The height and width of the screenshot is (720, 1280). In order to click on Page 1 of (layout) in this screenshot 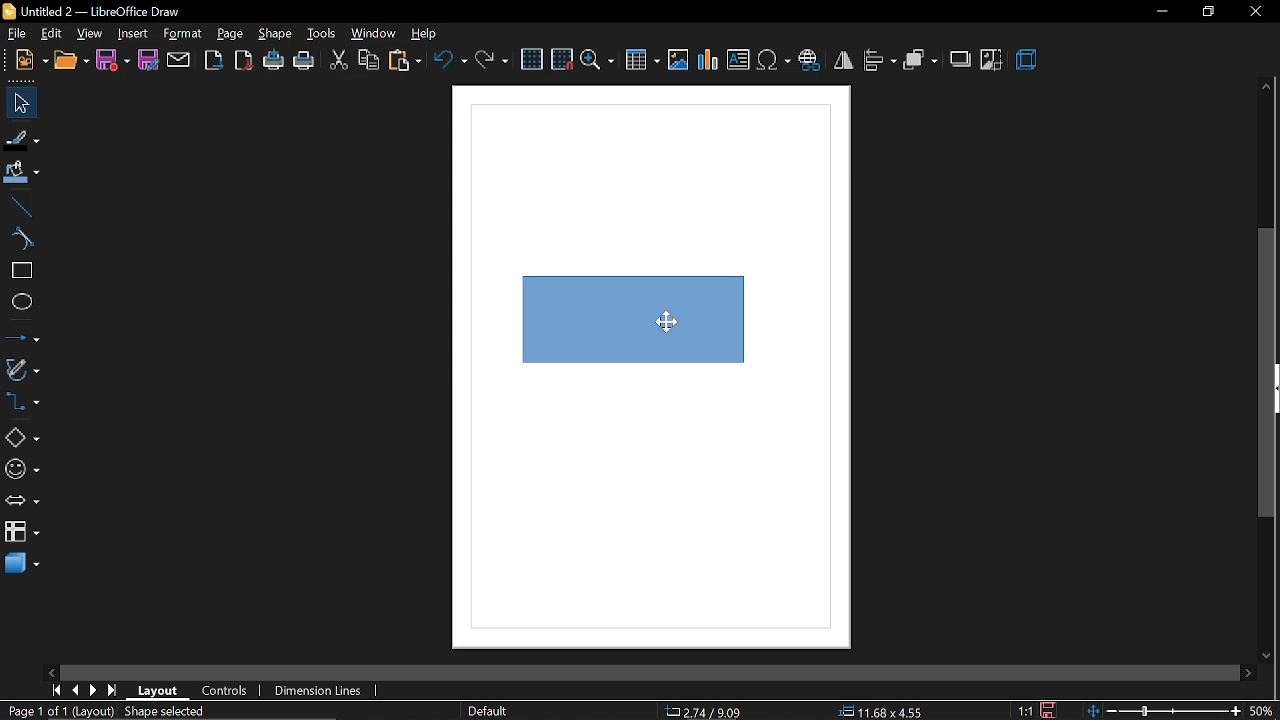, I will do `click(57, 713)`.